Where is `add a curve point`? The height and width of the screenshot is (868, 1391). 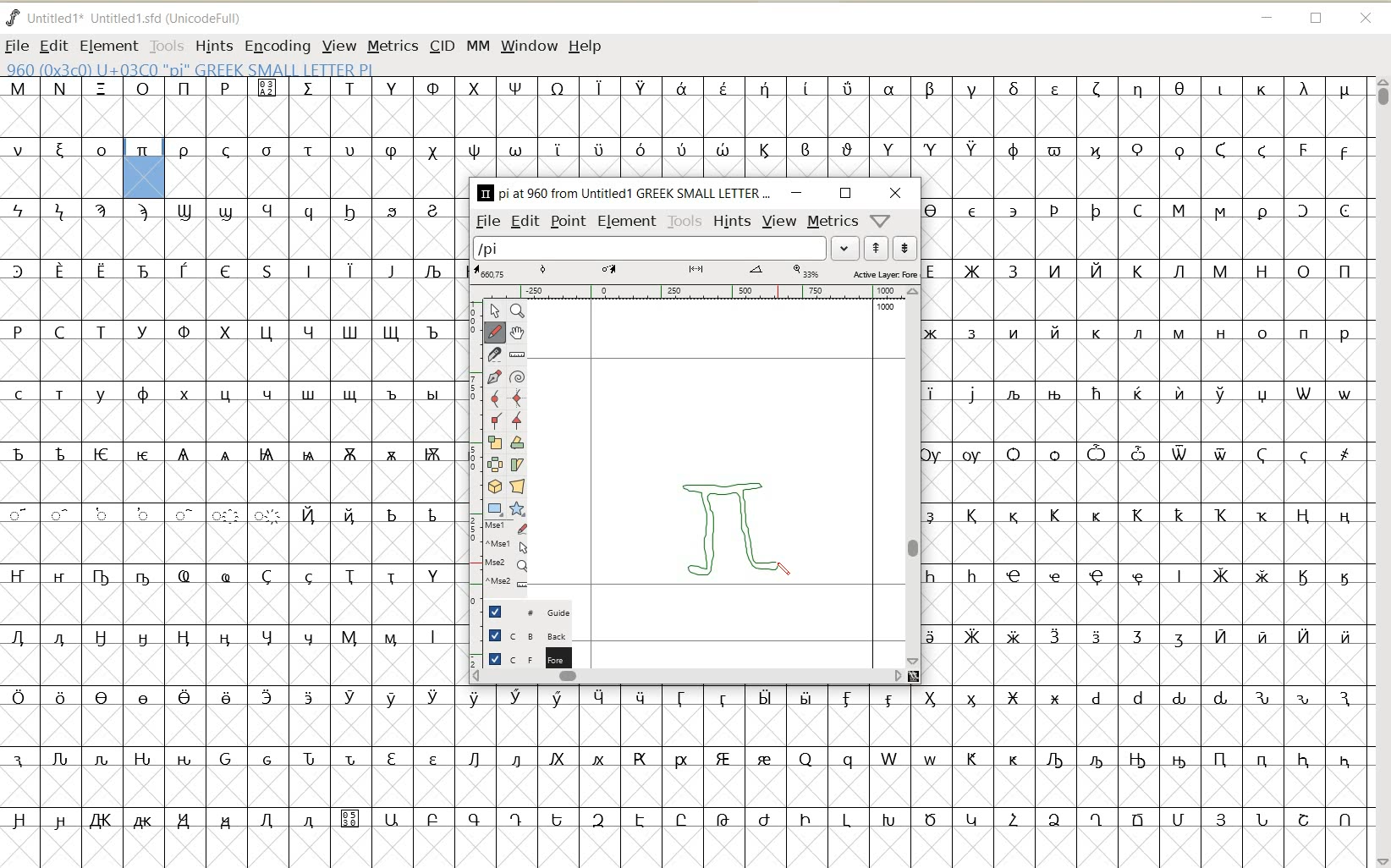
add a curve point is located at coordinates (494, 397).